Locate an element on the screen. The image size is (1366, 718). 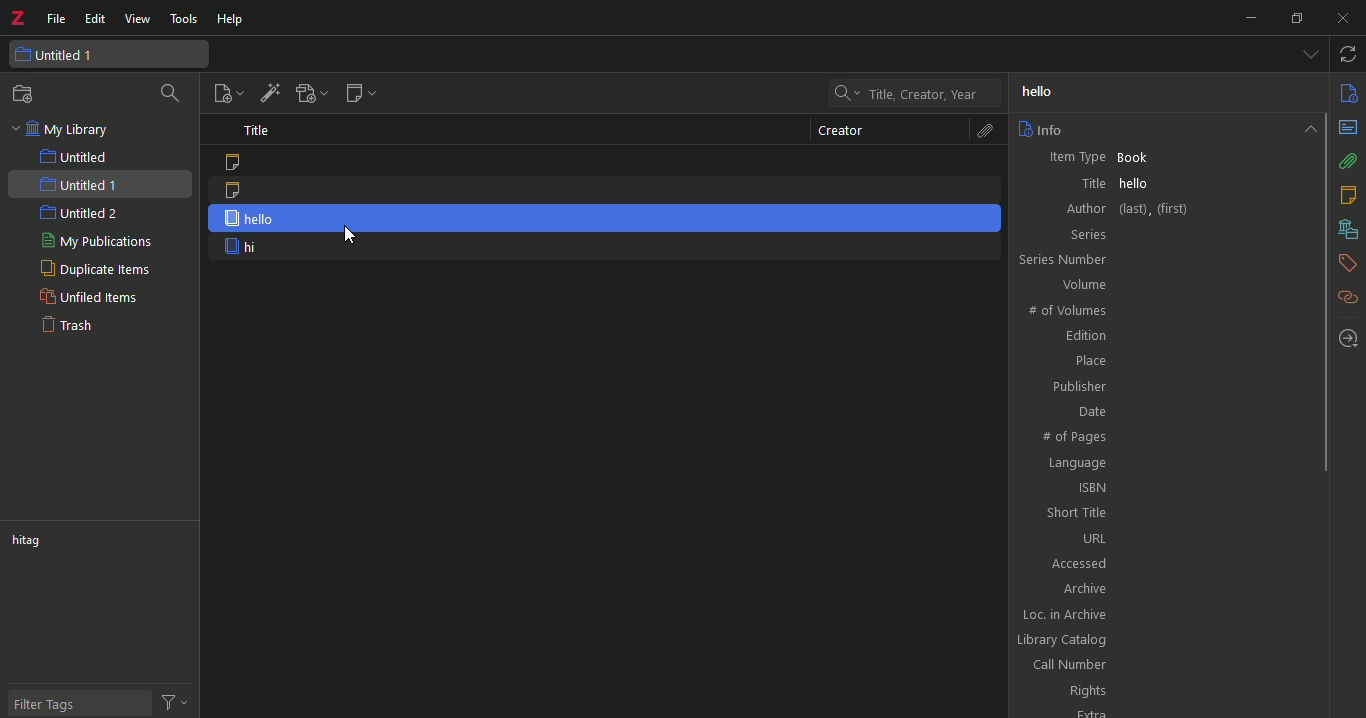
search is located at coordinates (173, 95).